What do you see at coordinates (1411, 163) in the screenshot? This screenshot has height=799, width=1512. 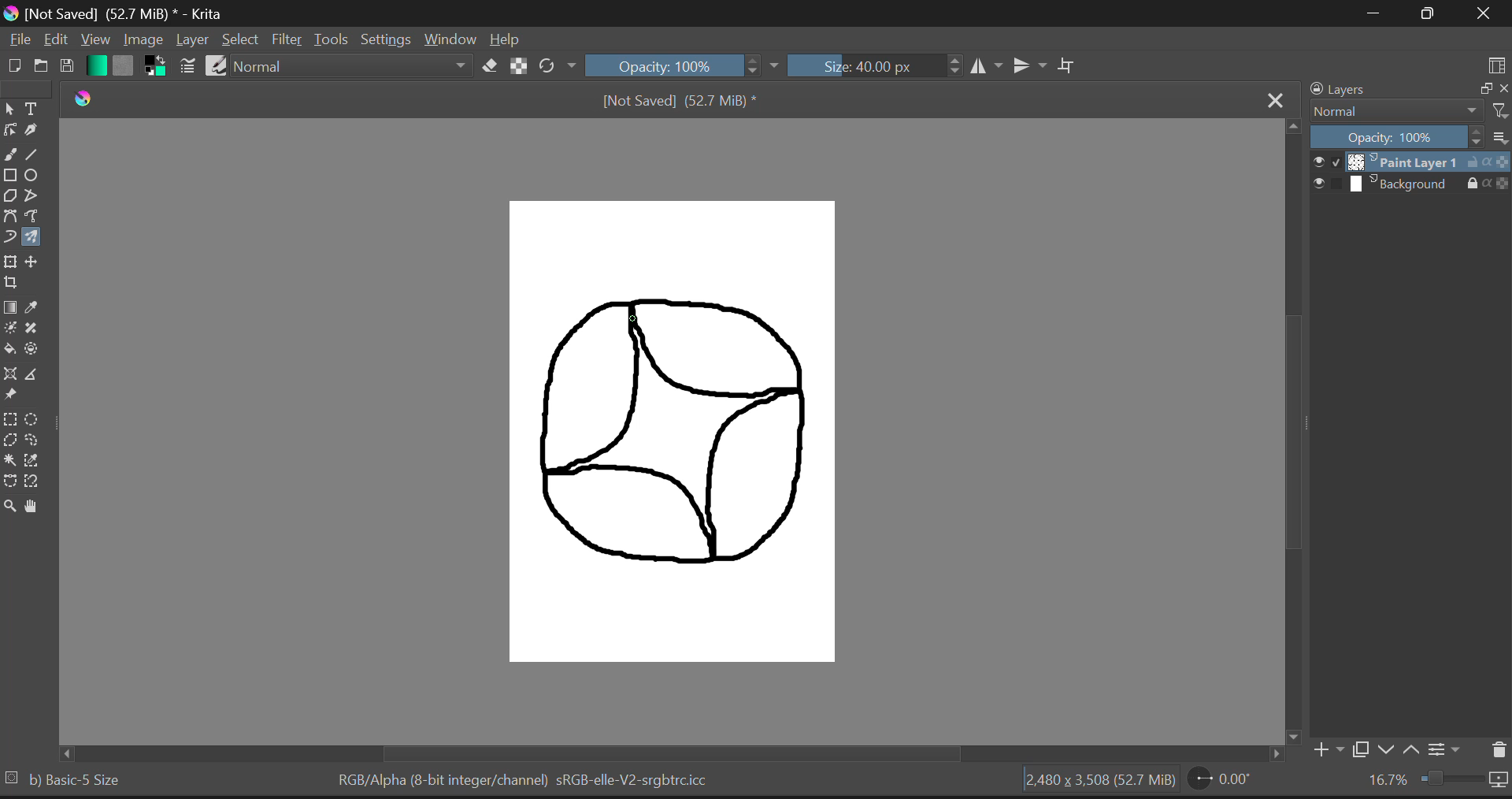 I see `Paint Layer` at bounding box center [1411, 163].